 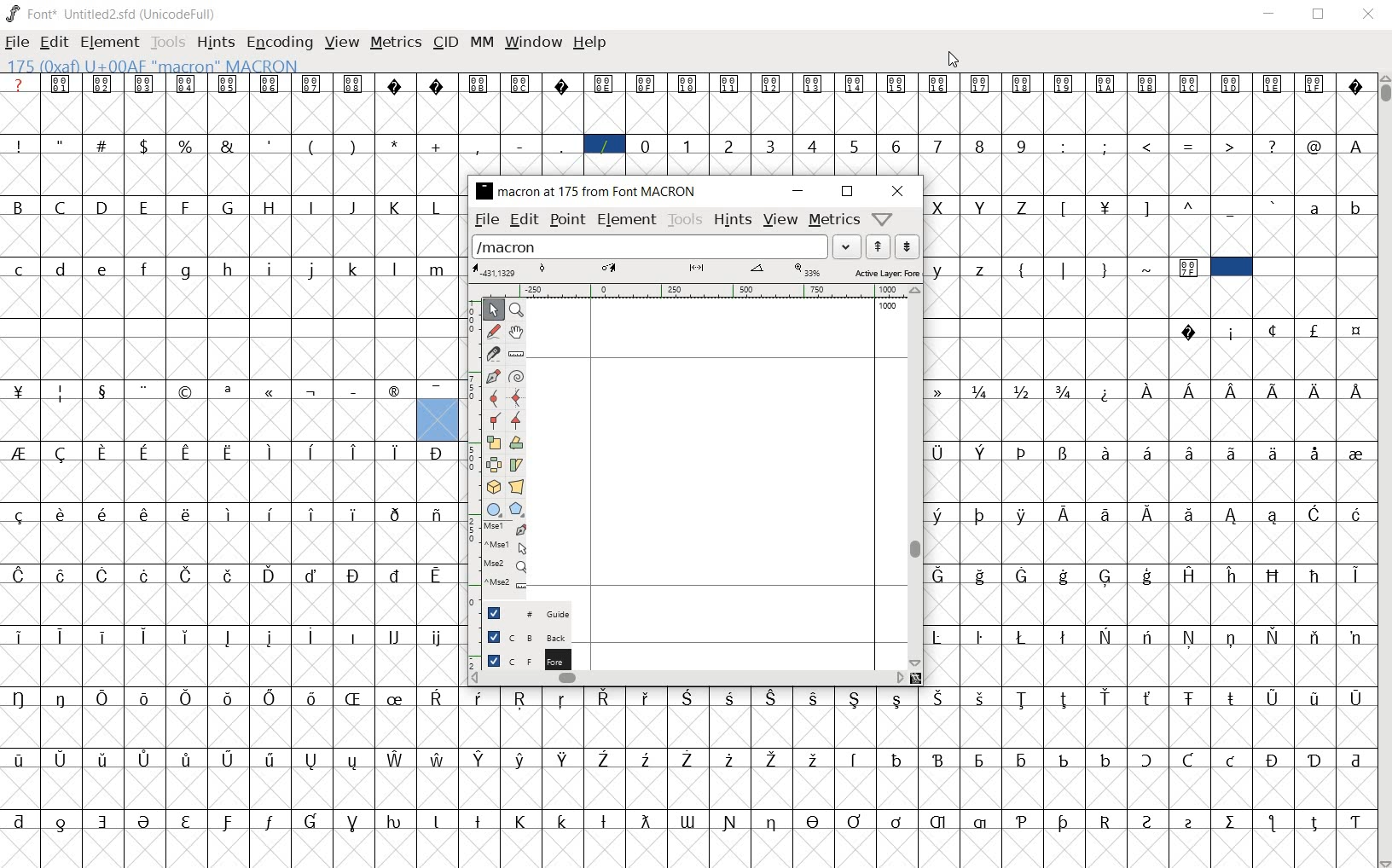 I want to click on Symbol, so click(x=353, y=391).